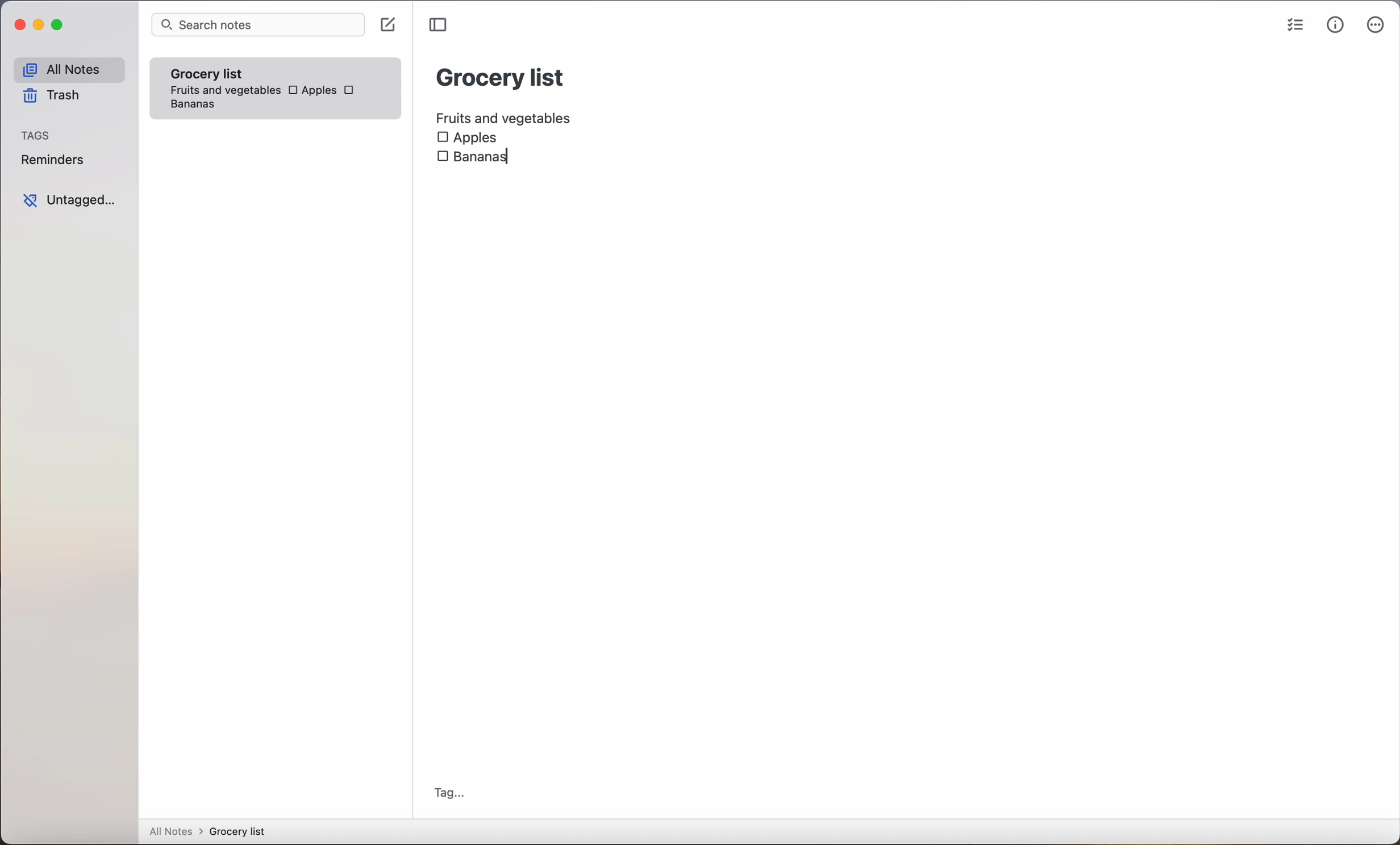 This screenshot has width=1400, height=845. Describe the element at coordinates (449, 793) in the screenshot. I see `tag` at that location.